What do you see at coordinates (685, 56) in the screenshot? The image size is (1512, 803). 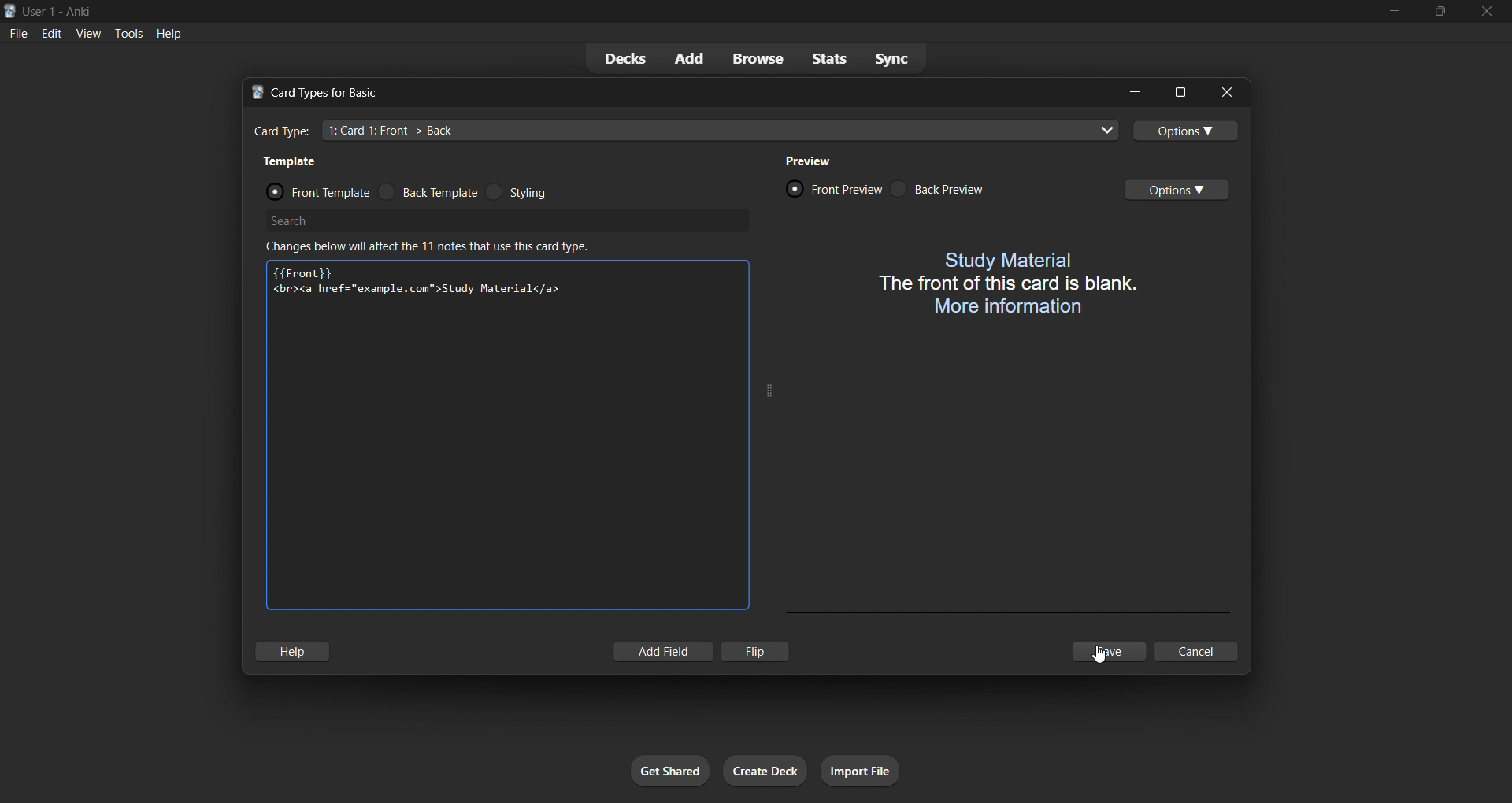 I see `add` at bounding box center [685, 56].